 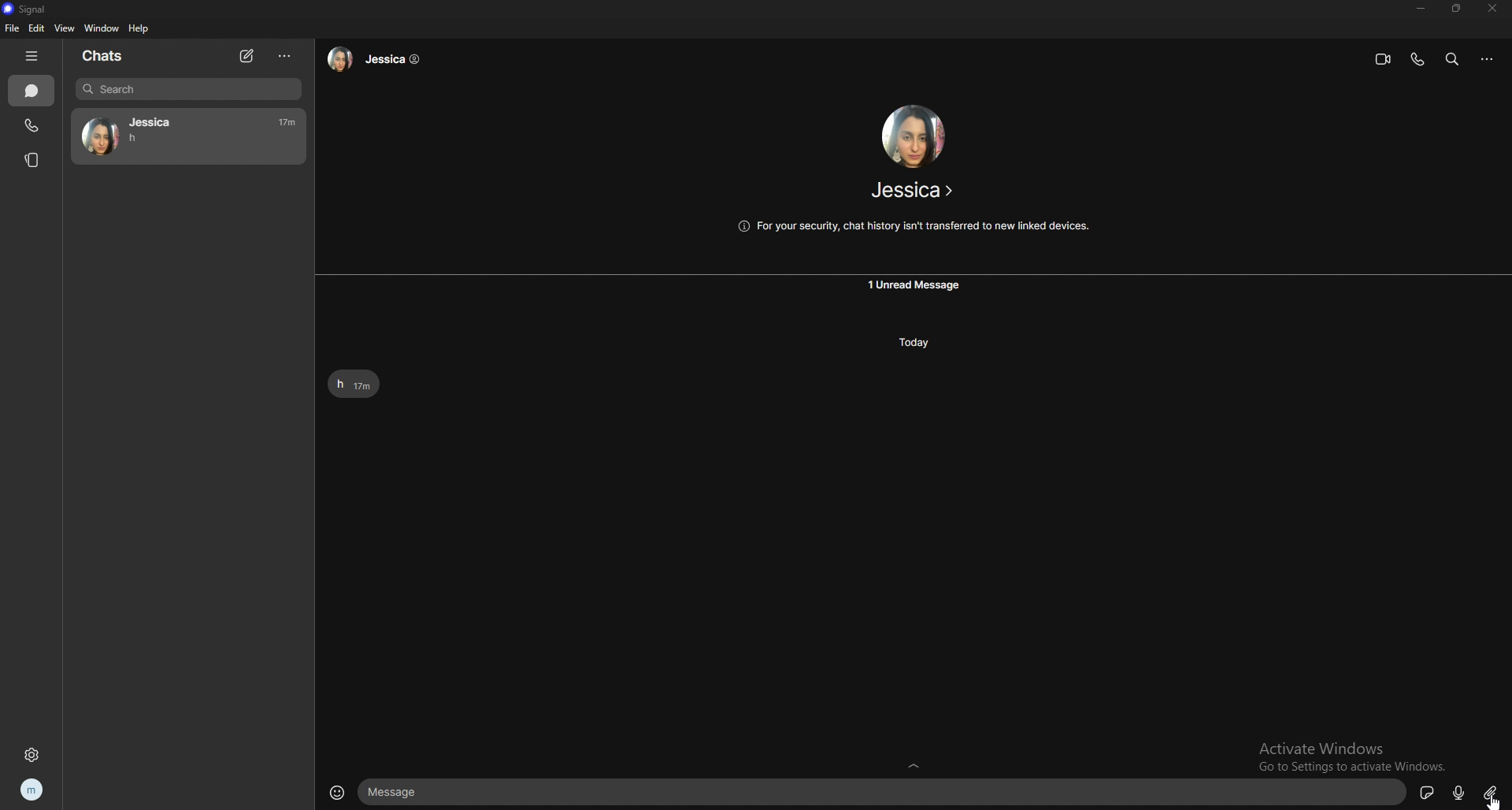 What do you see at coordinates (139, 28) in the screenshot?
I see `help` at bounding box center [139, 28].